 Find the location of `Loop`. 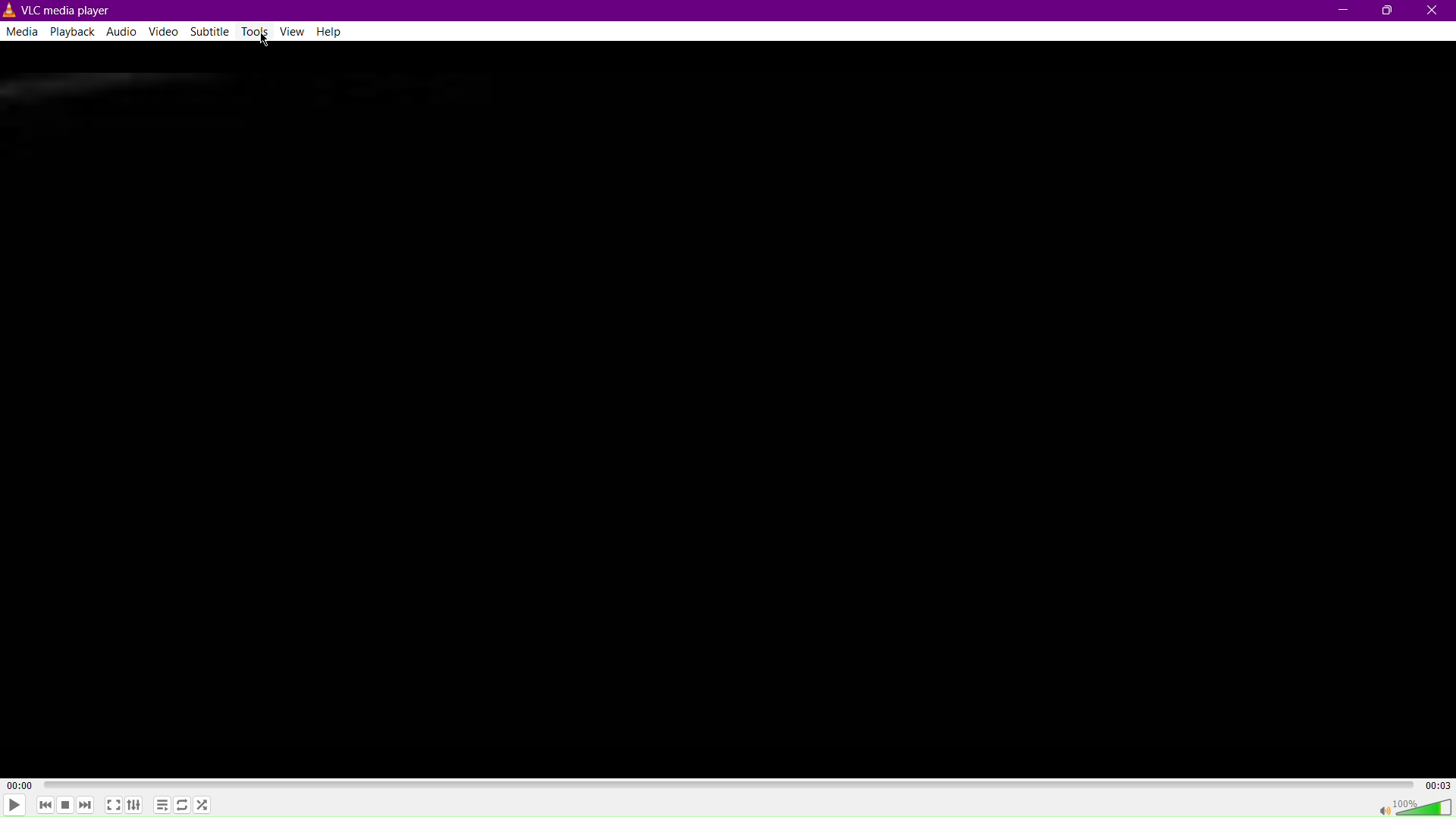

Loop is located at coordinates (184, 804).